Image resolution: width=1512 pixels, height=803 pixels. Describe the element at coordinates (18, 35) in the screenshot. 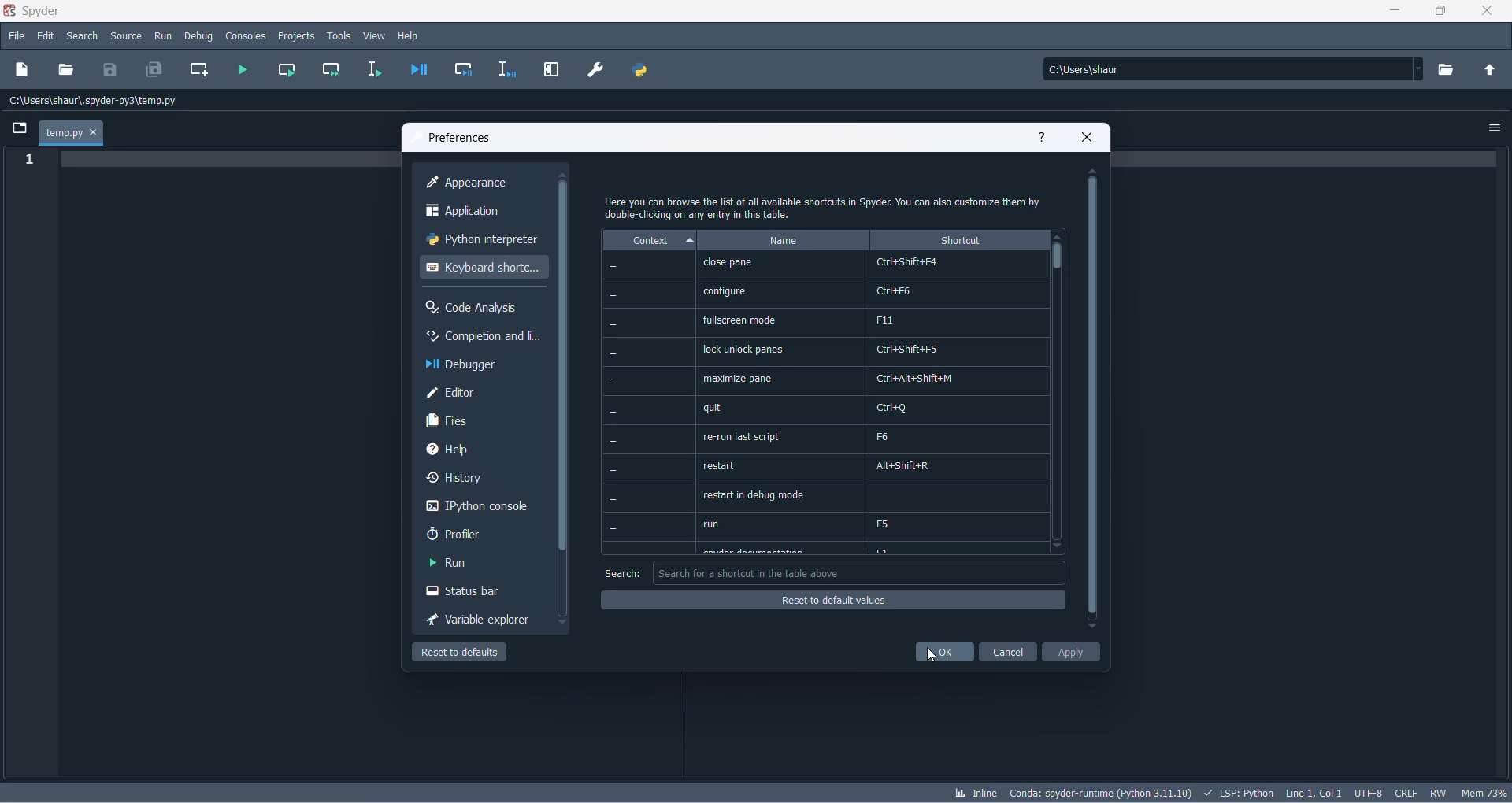

I see `file` at that location.